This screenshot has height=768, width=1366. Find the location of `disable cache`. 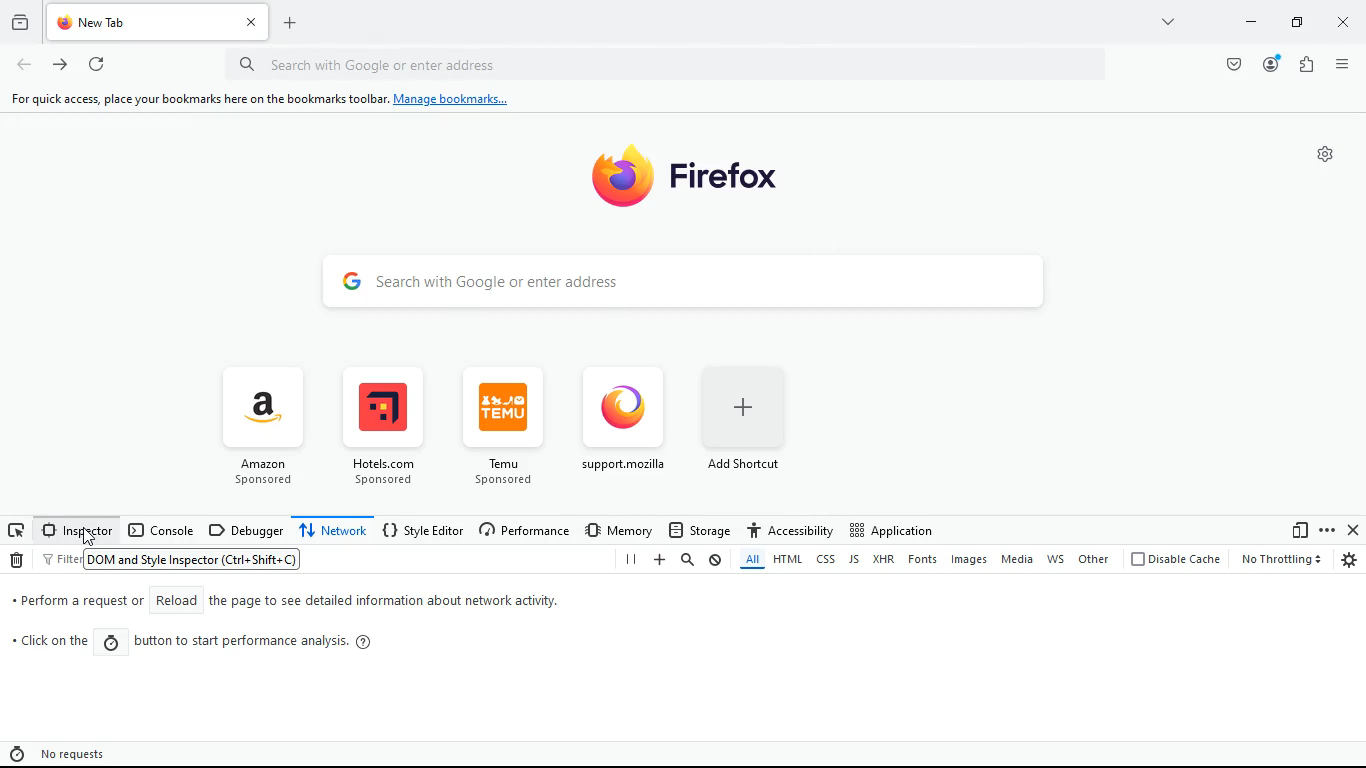

disable cache is located at coordinates (1174, 560).